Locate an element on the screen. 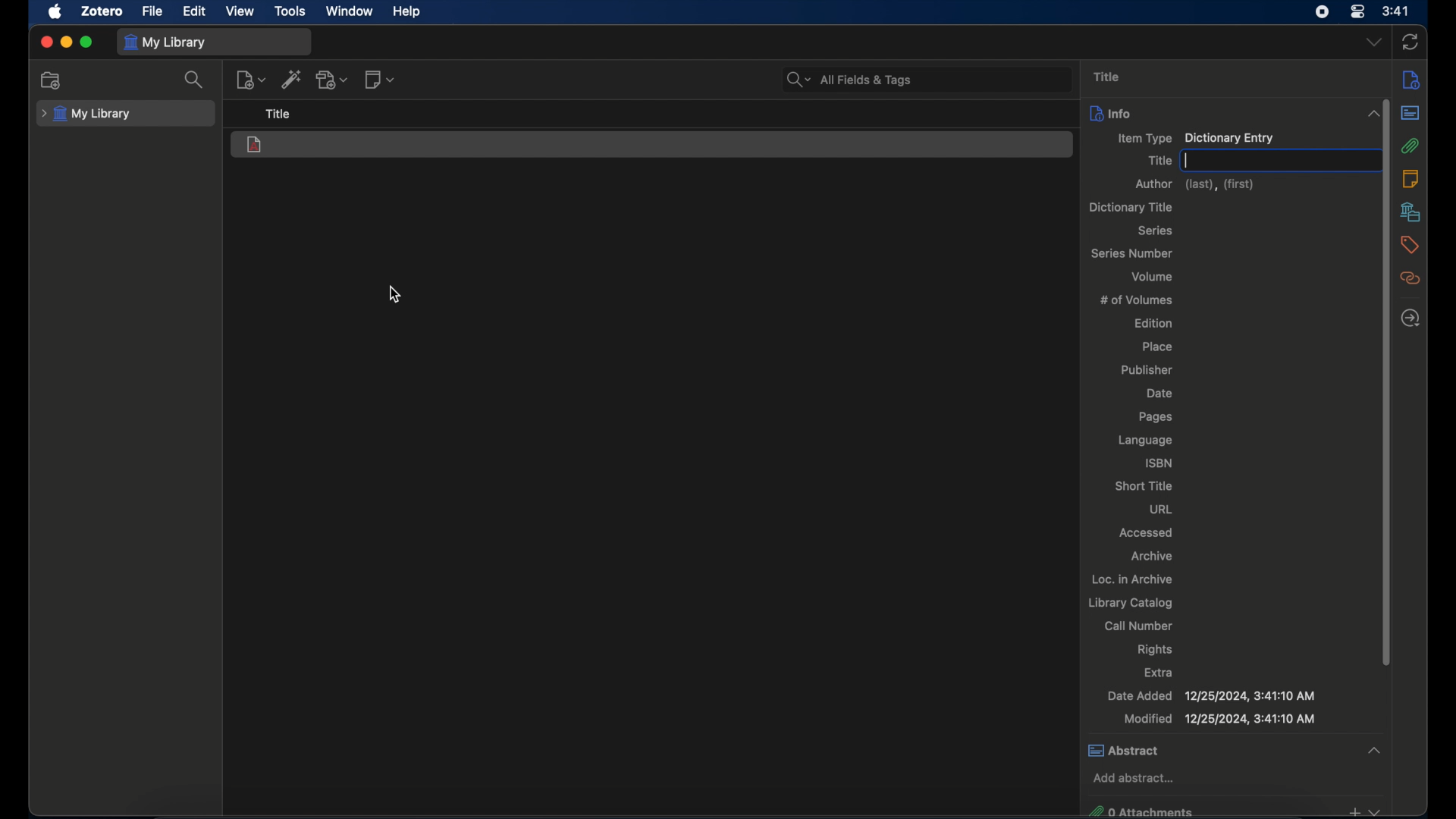  view is located at coordinates (240, 11).